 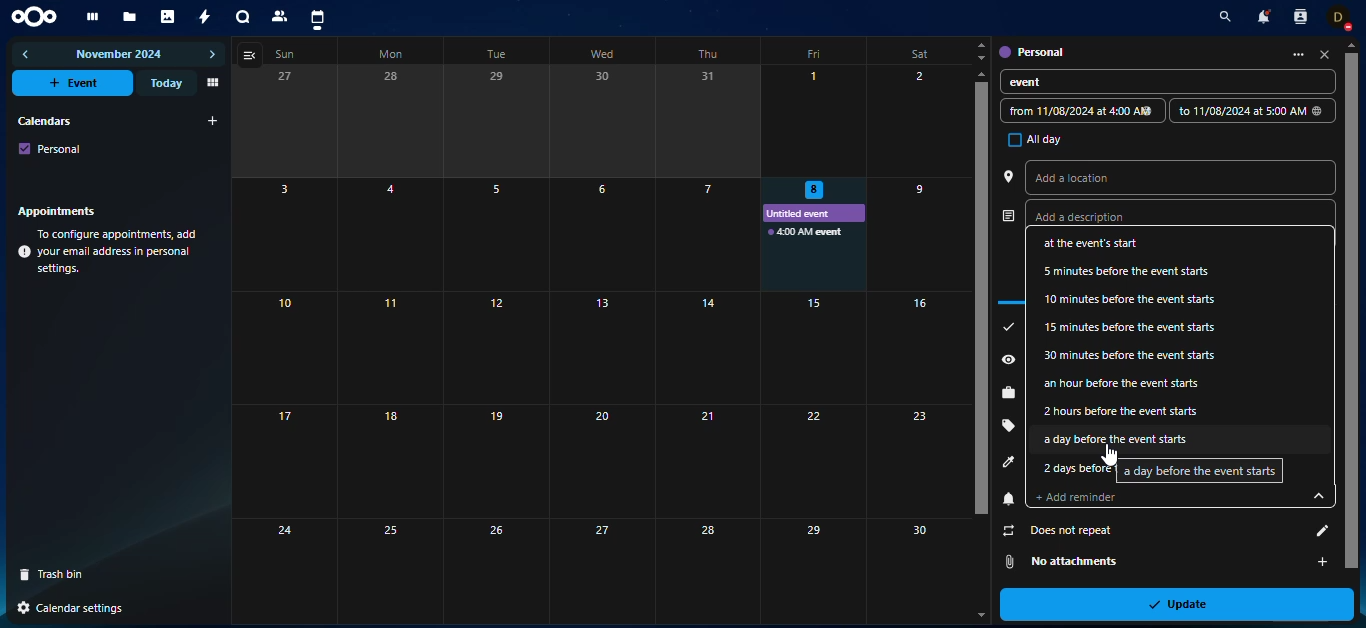 I want to click on 13, so click(x=600, y=347).